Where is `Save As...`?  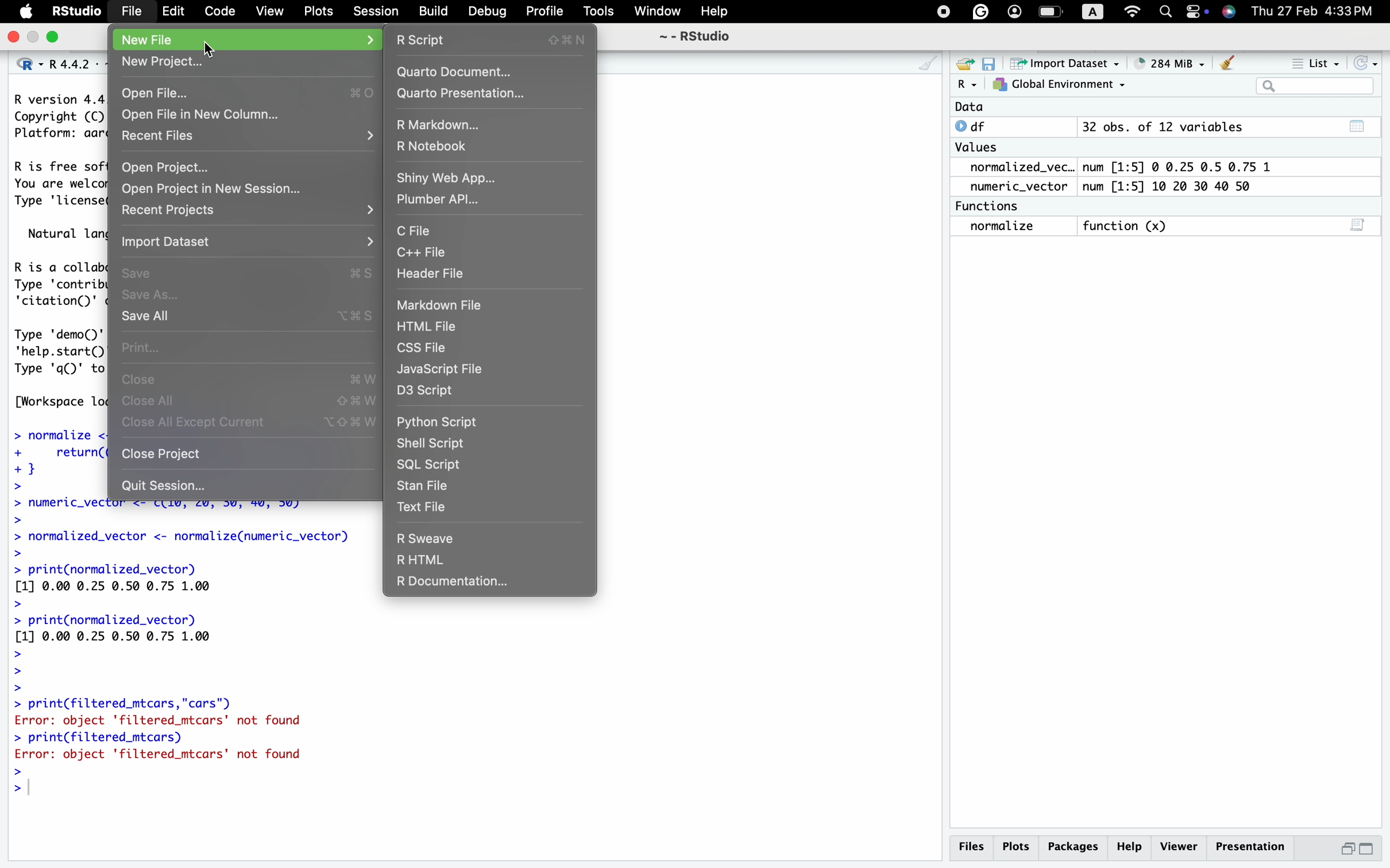
Save As... is located at coordinates (157, 294).